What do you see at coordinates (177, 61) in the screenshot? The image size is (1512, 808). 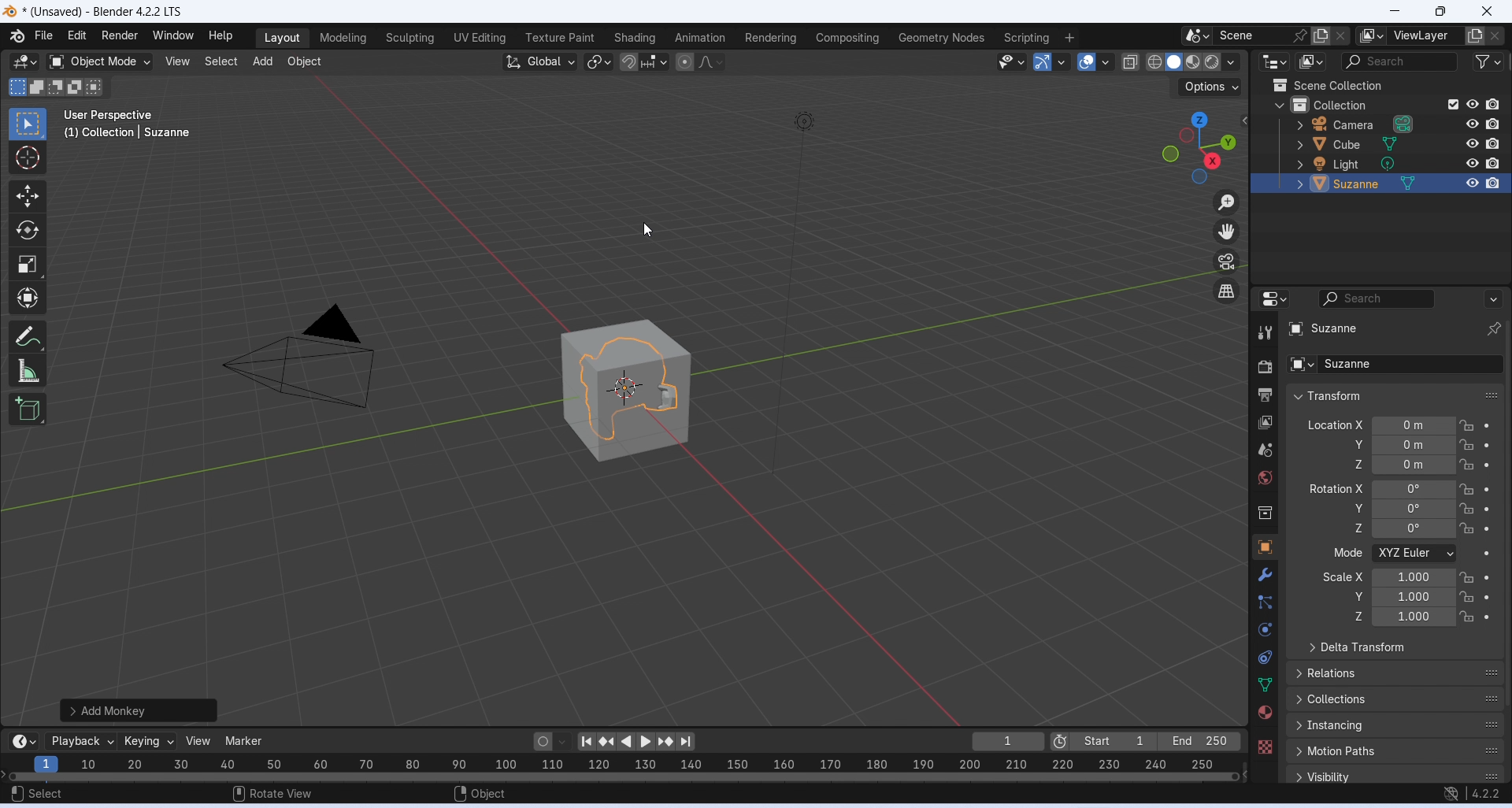 I see `View` at bounding box center [177, 61].